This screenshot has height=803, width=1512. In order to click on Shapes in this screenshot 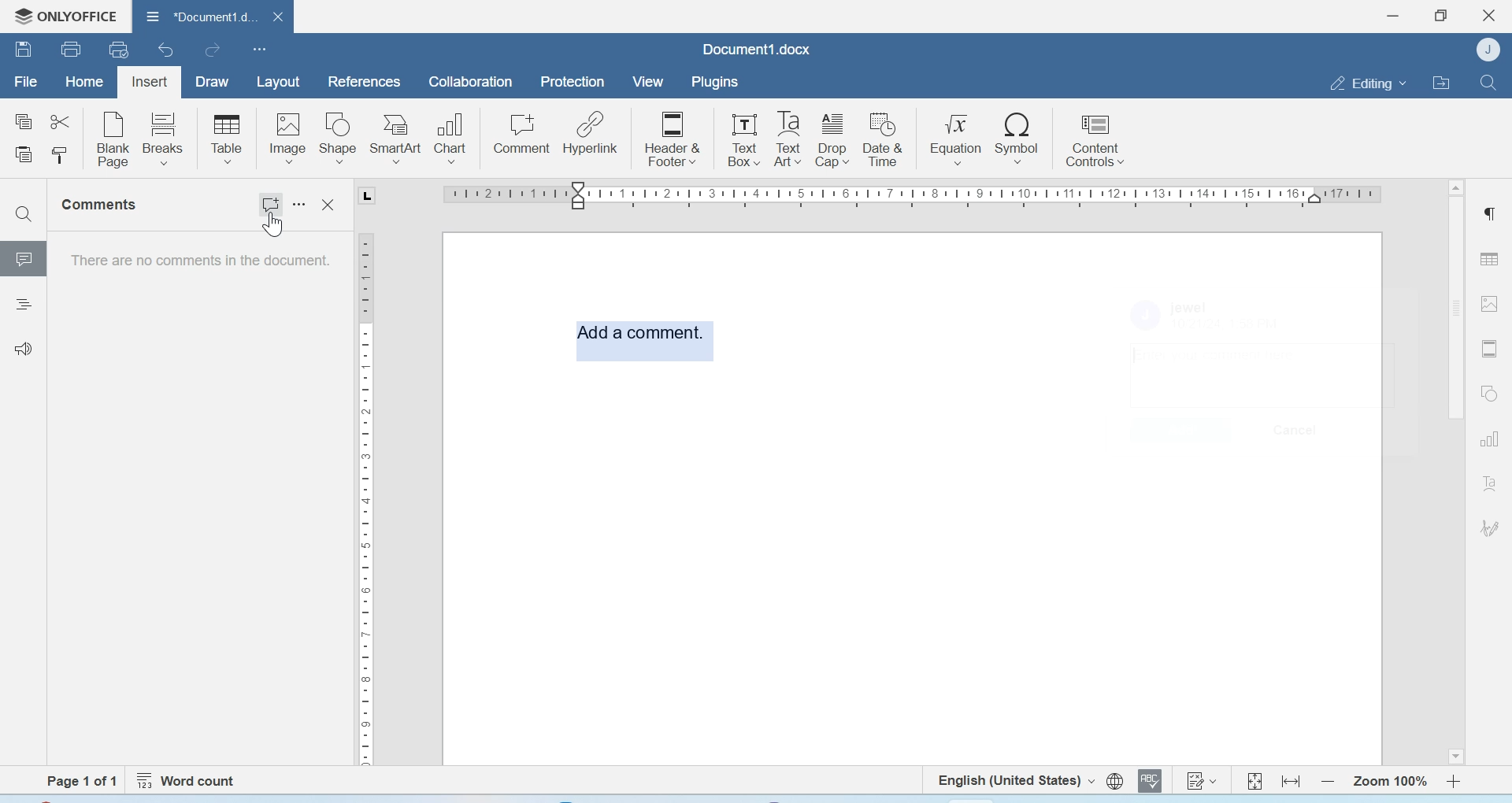, I will do `click(1492, 392)`.